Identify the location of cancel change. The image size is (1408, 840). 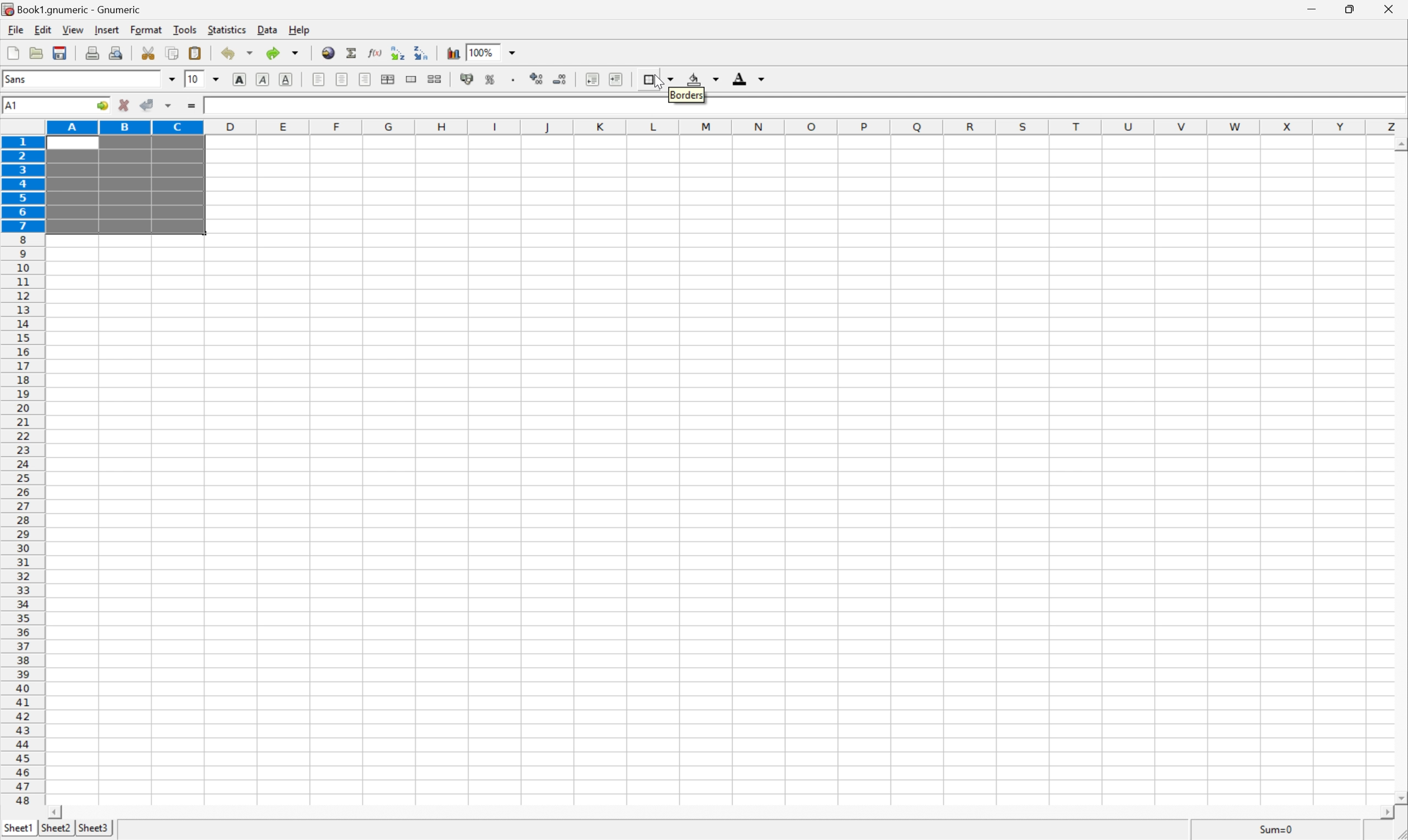
(124, 106).